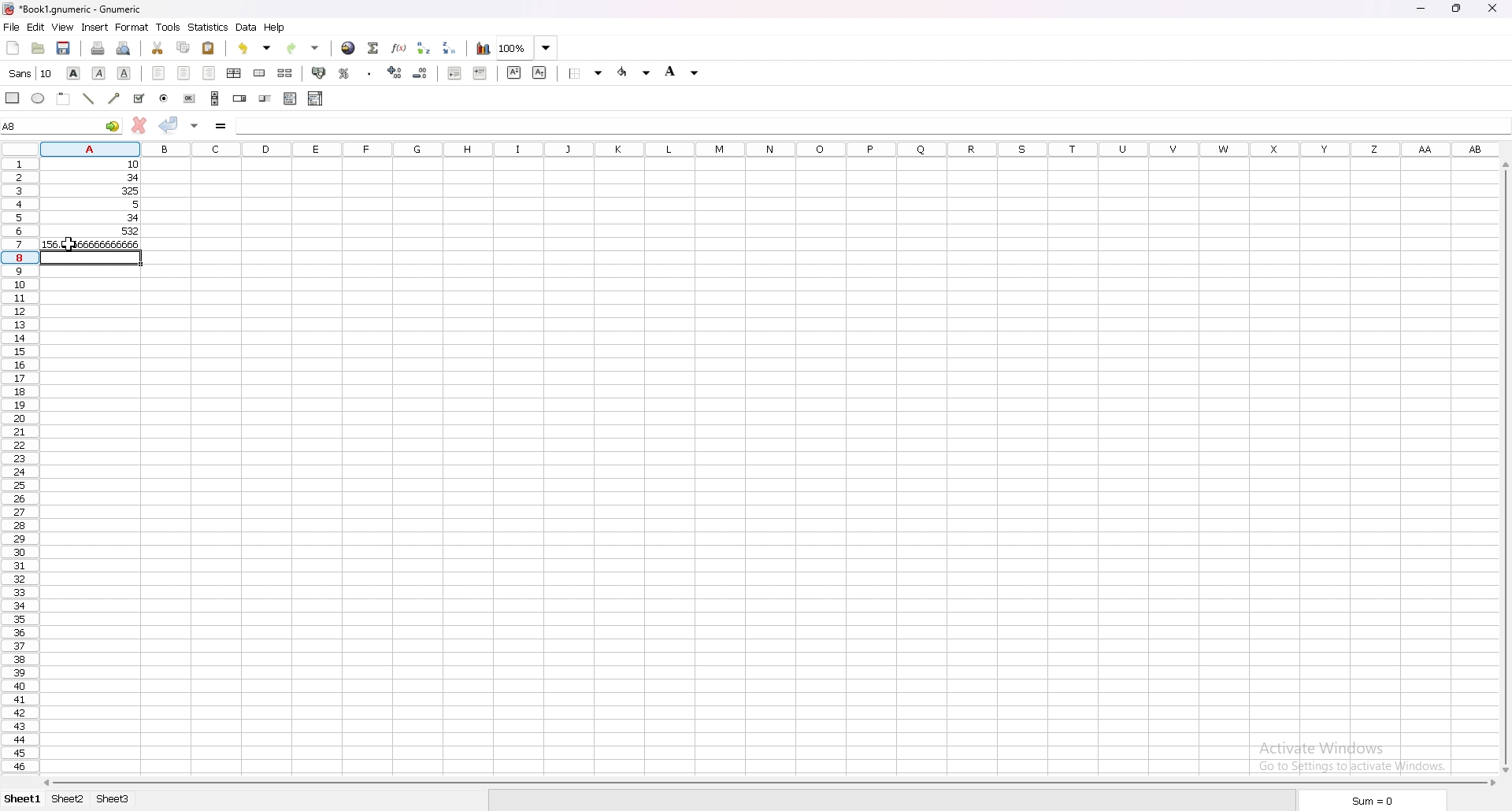 Image resolution: width=1512 pixels, height=811 pixels. What do you see at coordinates (769, 783) in the screenshot?
I see `scroll bar` at bounding box center [769, 783].